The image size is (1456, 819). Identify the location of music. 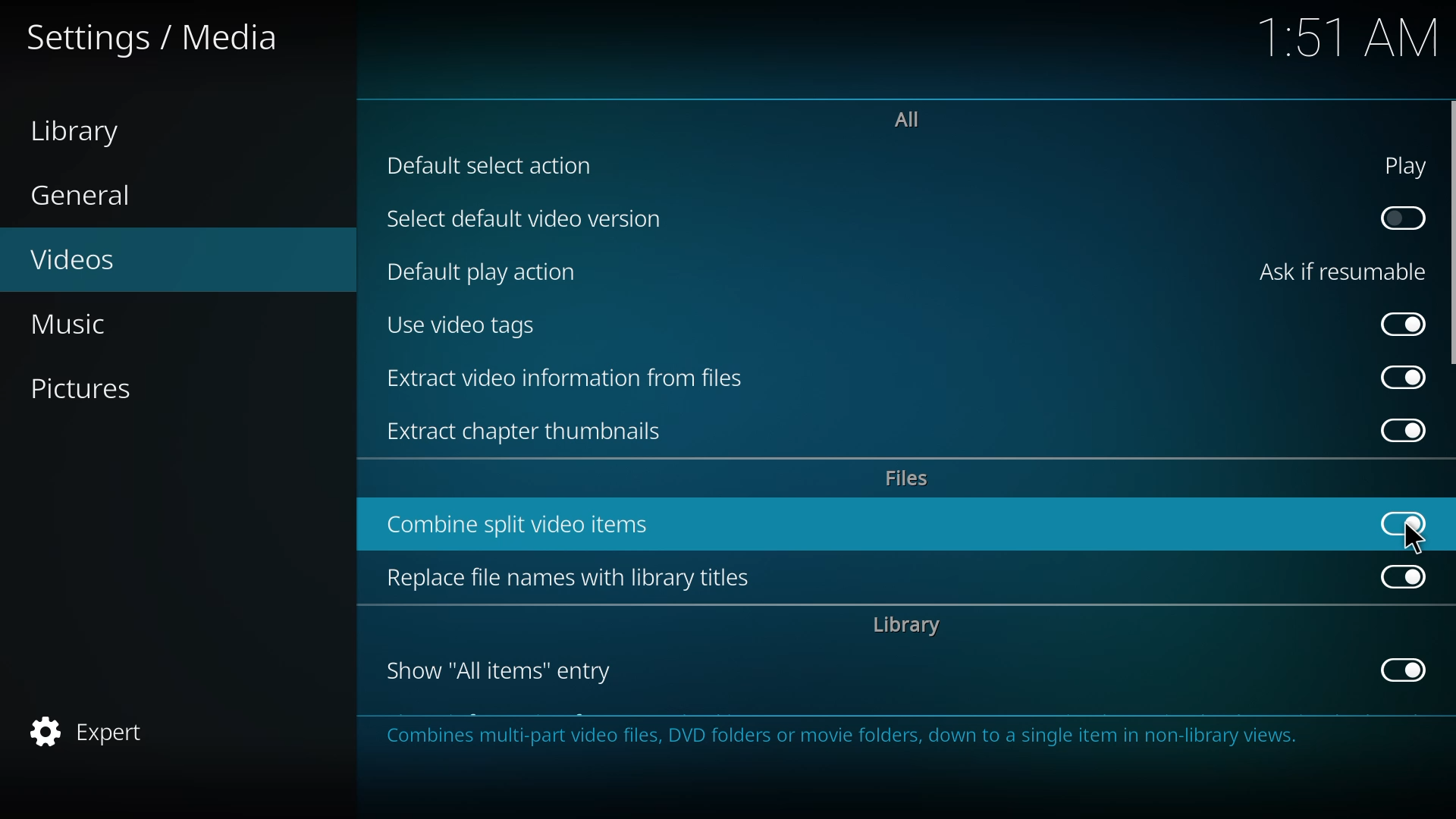
(74, 326).